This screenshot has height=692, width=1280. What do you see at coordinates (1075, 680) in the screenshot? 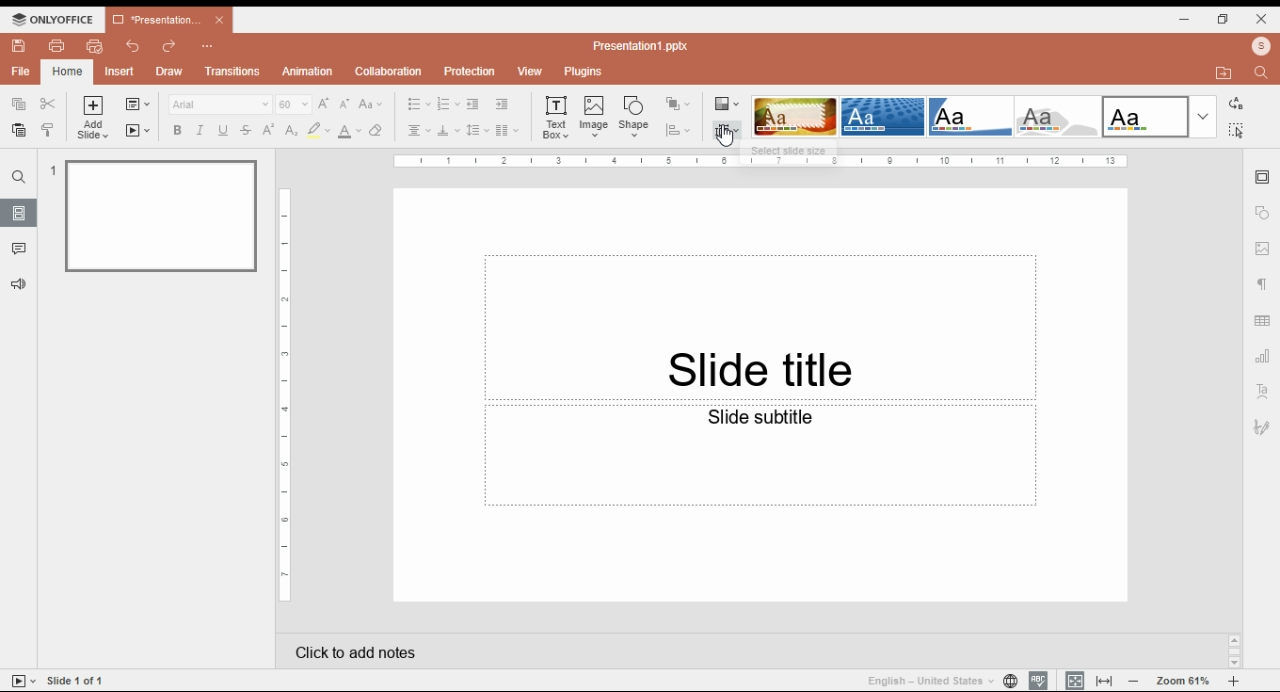
I see `fit to slide` at bounding box center [1075, 680].